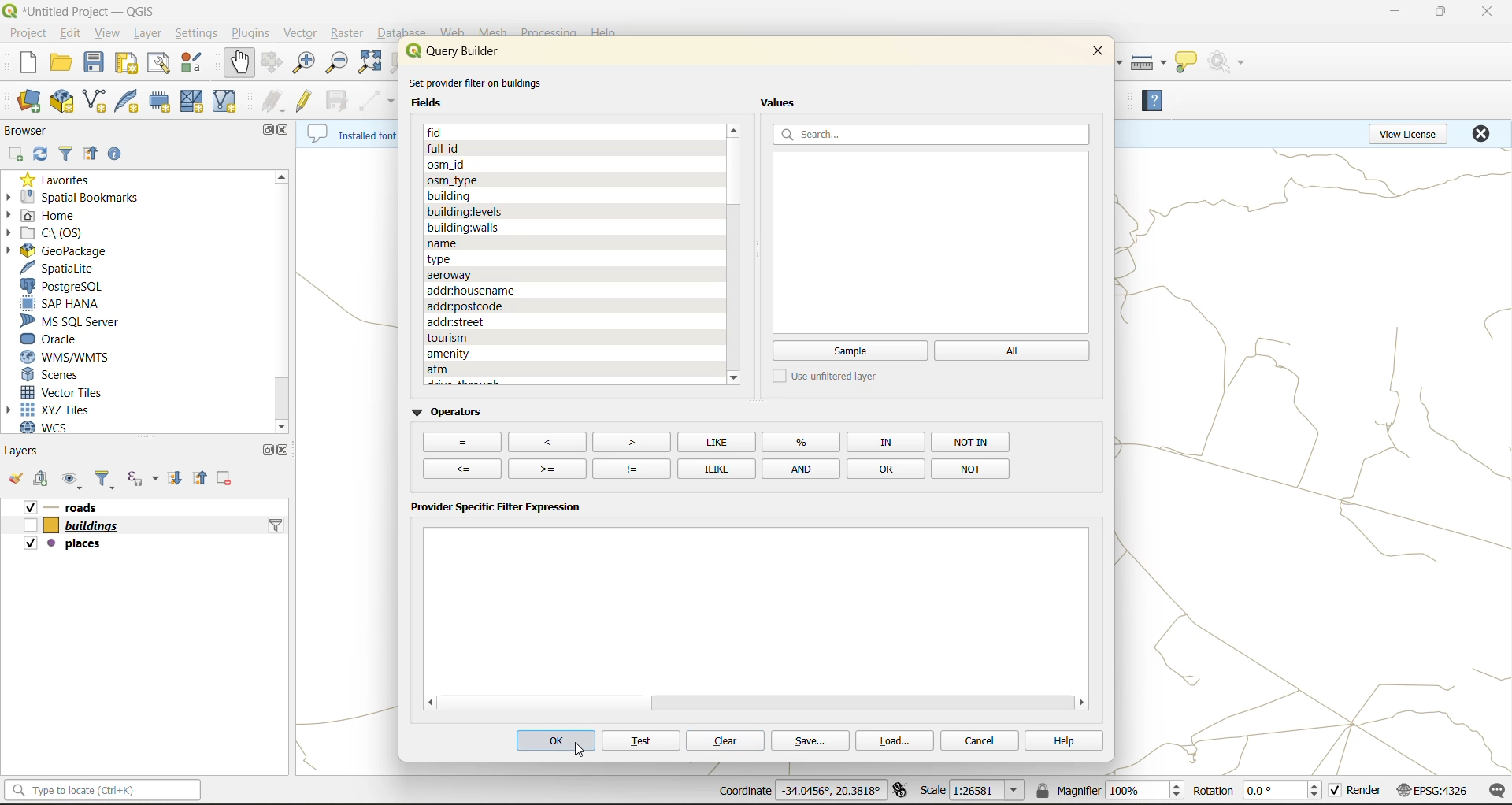 The height and width of the screenshot is (805, 1512). Describe the element at coordinates (67, 304) in the screenshot. I see `sap hana` at that location.